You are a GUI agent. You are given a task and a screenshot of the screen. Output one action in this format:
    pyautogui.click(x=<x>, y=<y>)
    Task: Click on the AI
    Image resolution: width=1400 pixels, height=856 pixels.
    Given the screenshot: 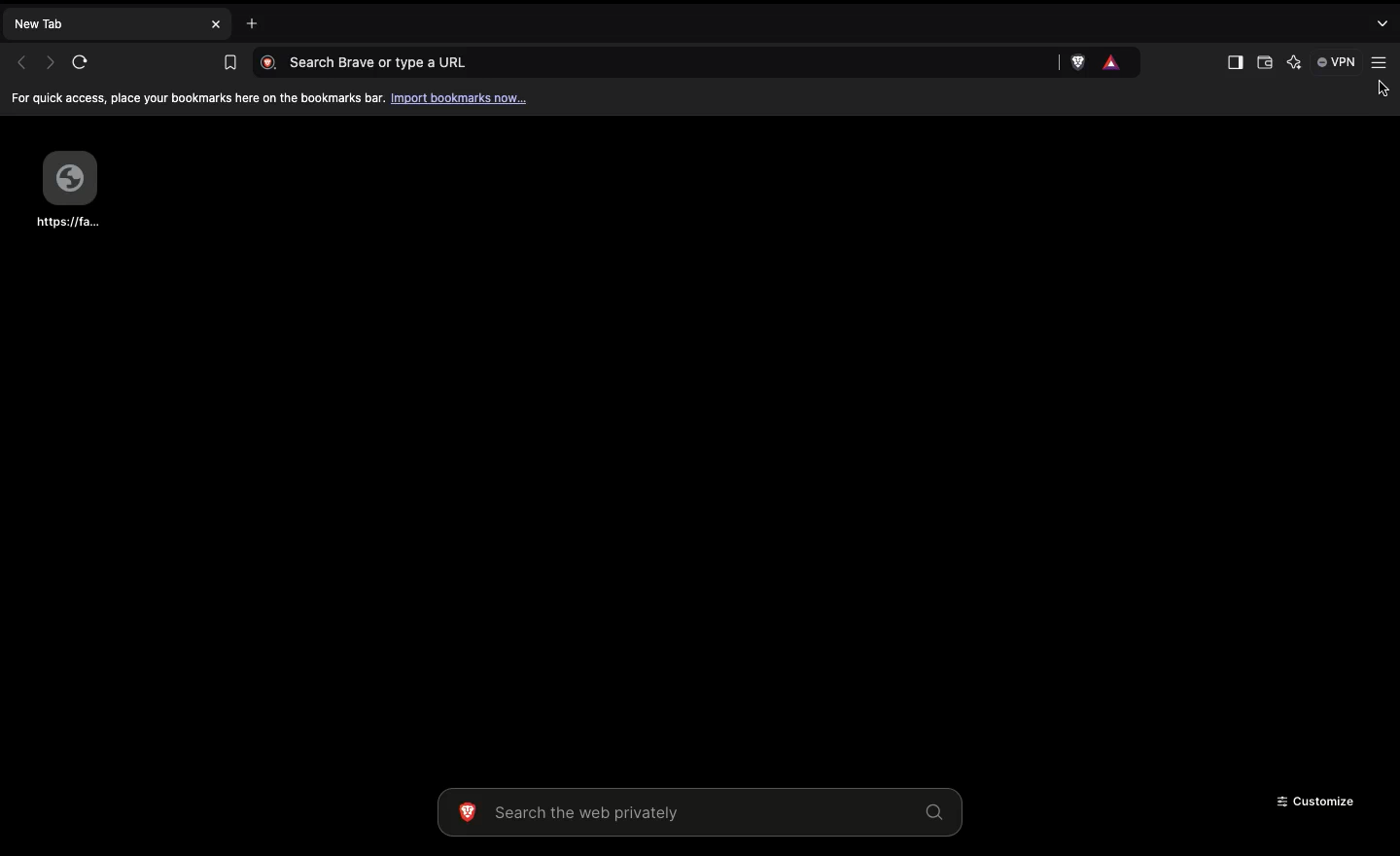 What is the action you would take?
    pyautogui.click(x=1292, y=62)
    